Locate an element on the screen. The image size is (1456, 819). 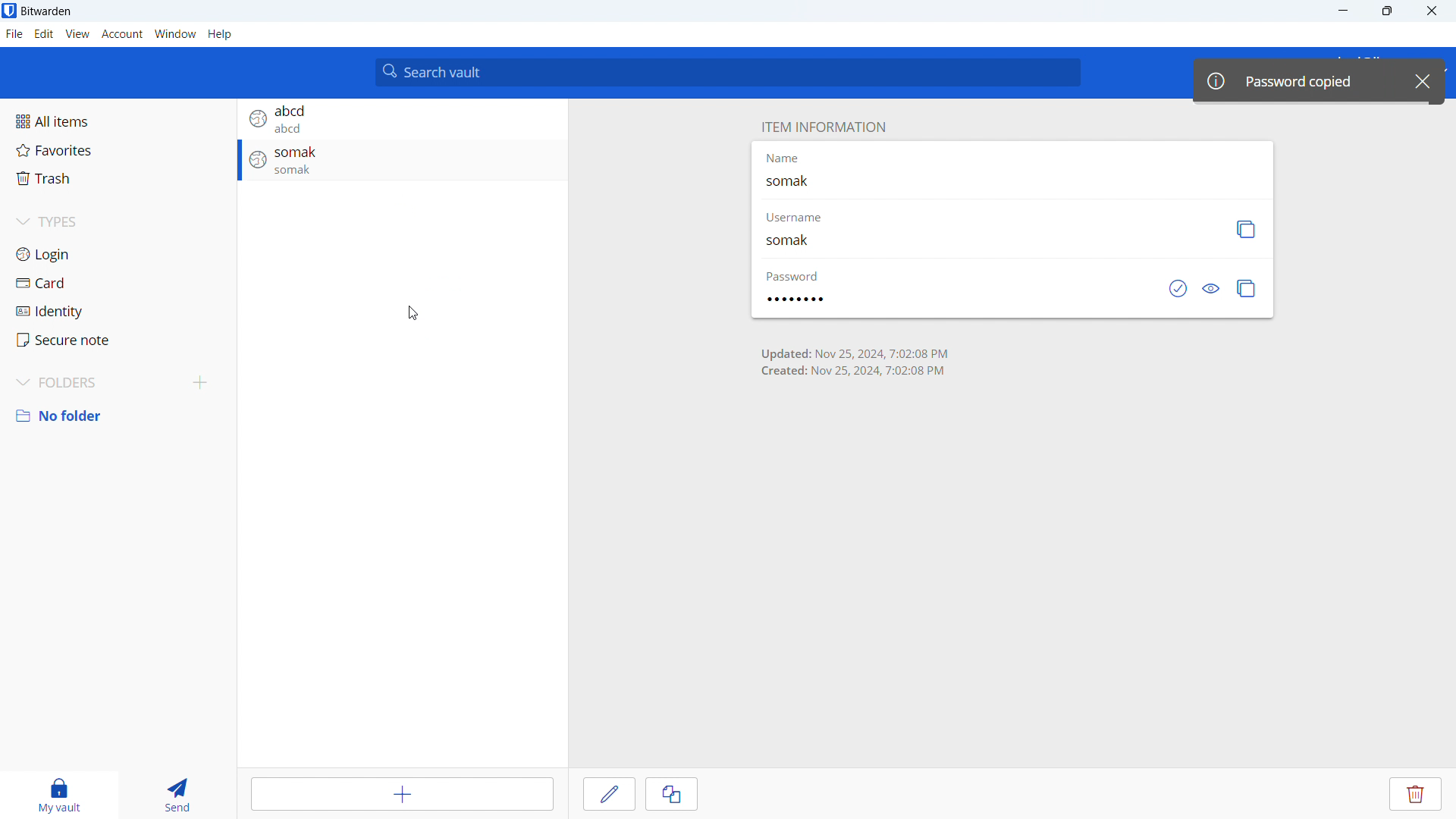
edit is located at coordinates (45, 34).